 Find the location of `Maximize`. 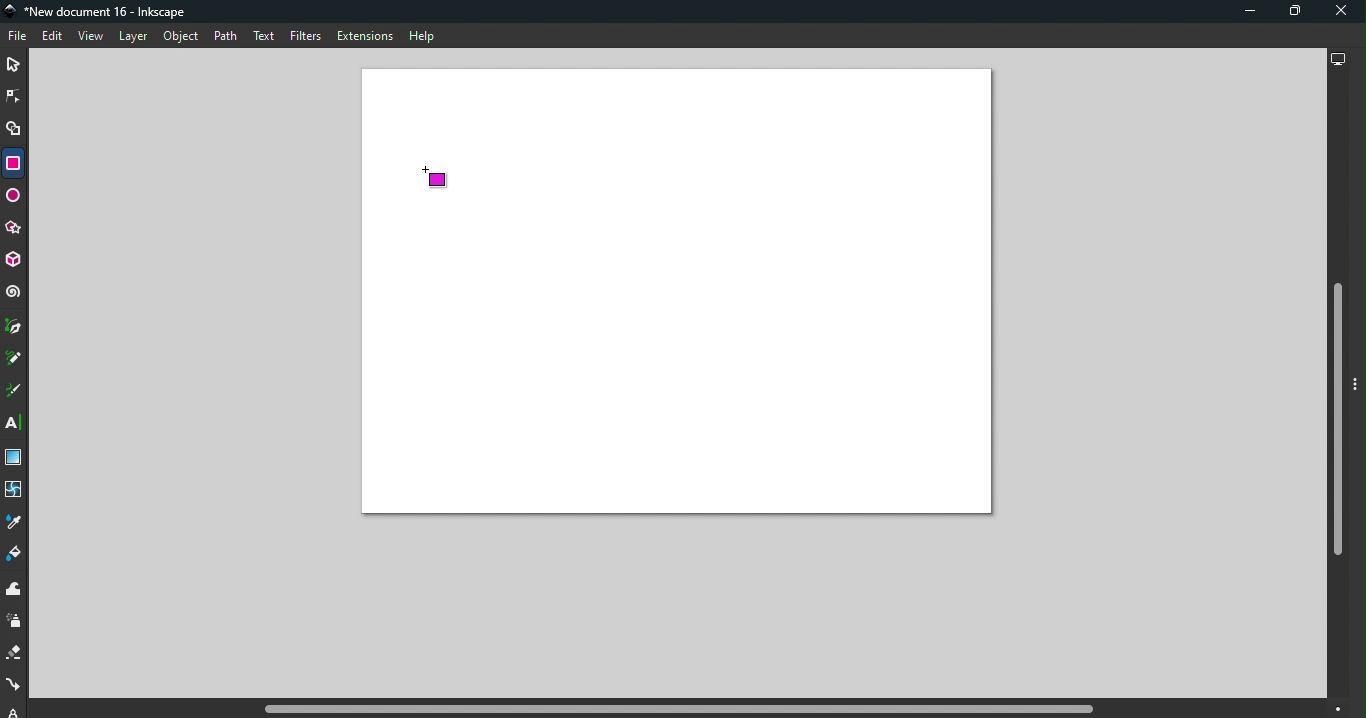

Maximize is located at coordinates (1288, 14).